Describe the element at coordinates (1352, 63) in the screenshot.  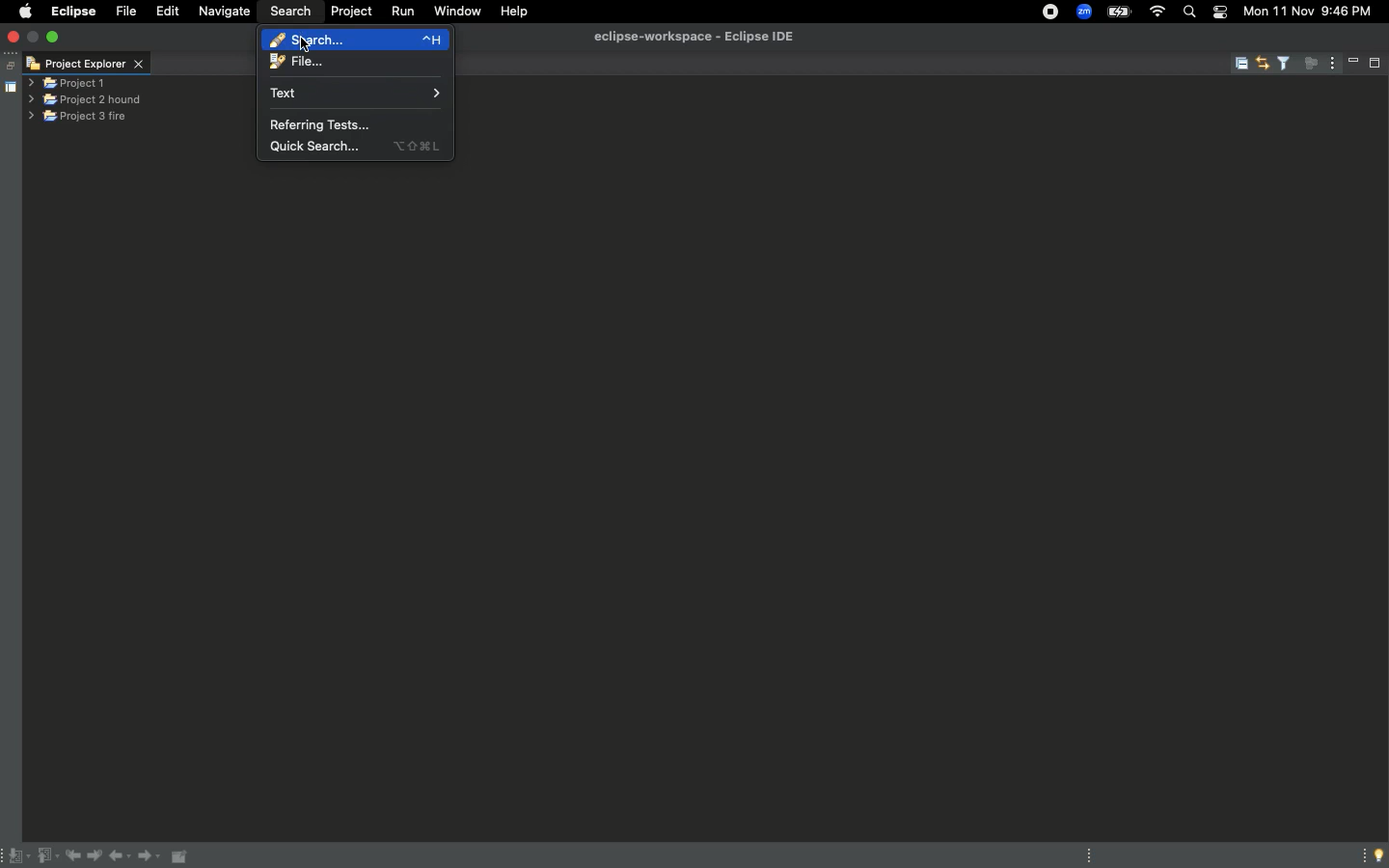
I see `Minimize ` at that location.